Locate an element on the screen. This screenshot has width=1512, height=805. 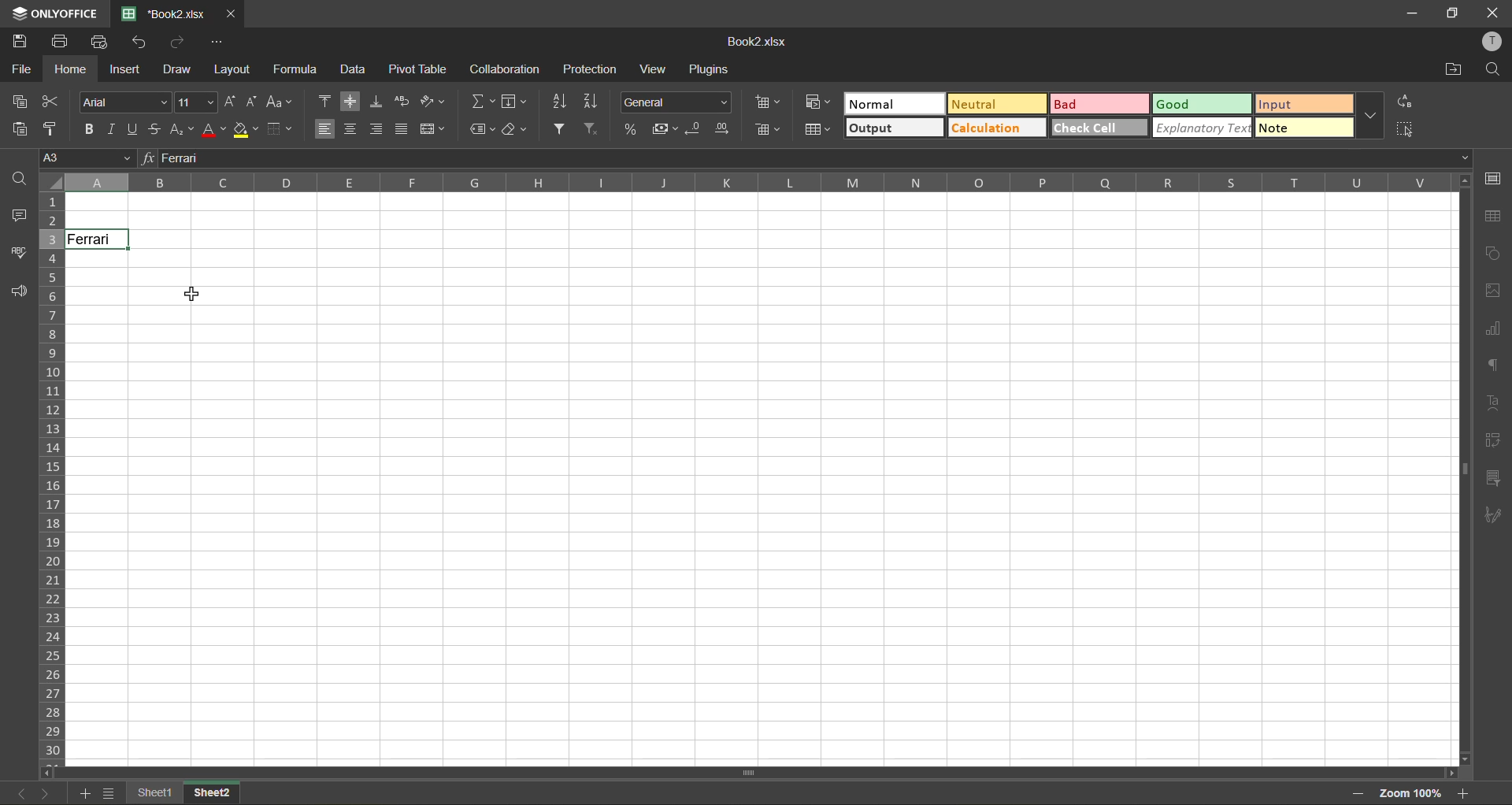
filter is located at coordinates (560, 128).